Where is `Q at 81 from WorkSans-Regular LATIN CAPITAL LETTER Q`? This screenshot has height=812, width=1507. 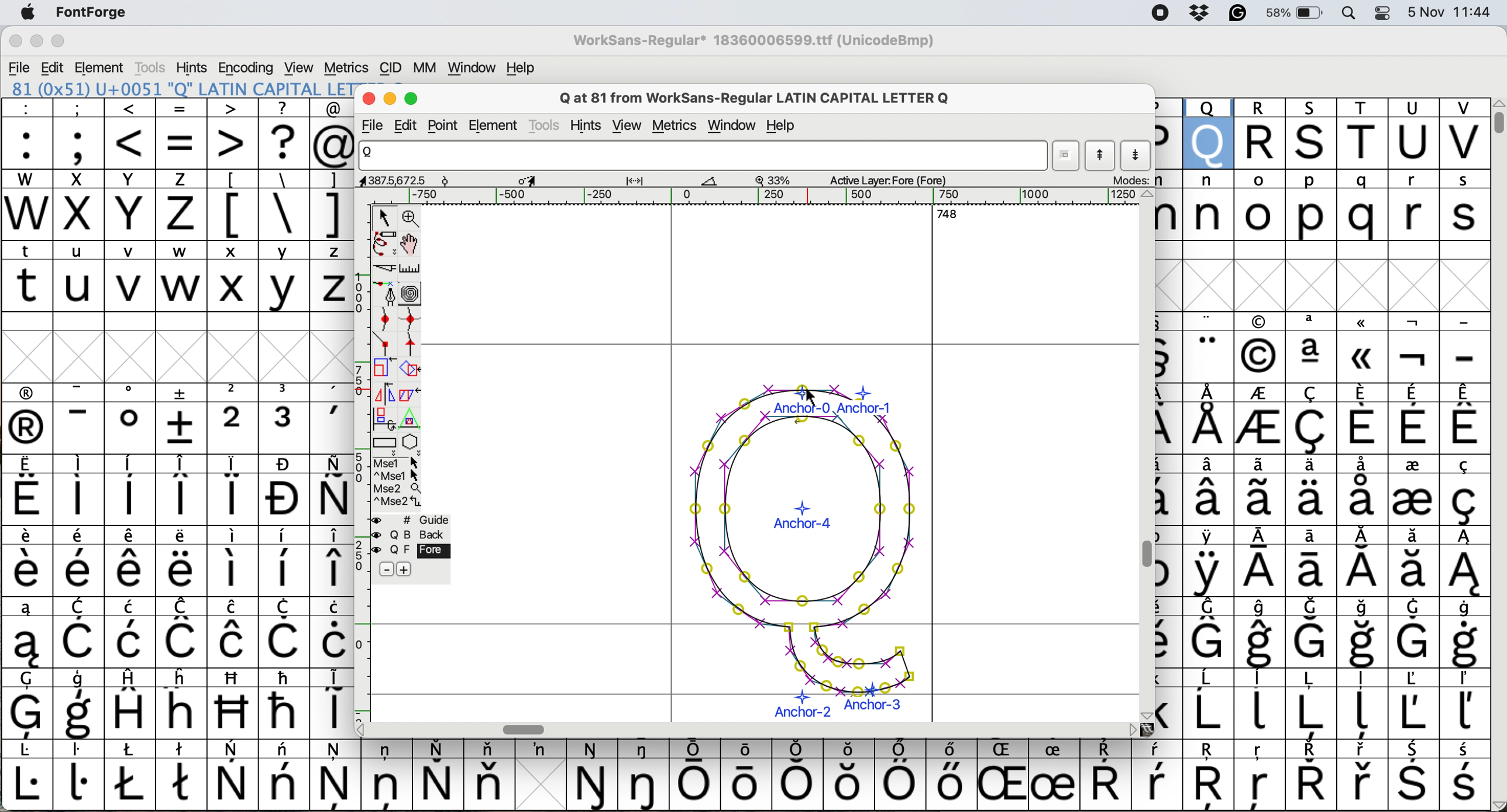
Q at 81 from WorkSans-Regular LATIN CAPITAL LETTER Q is located at coordinates (766, 97).